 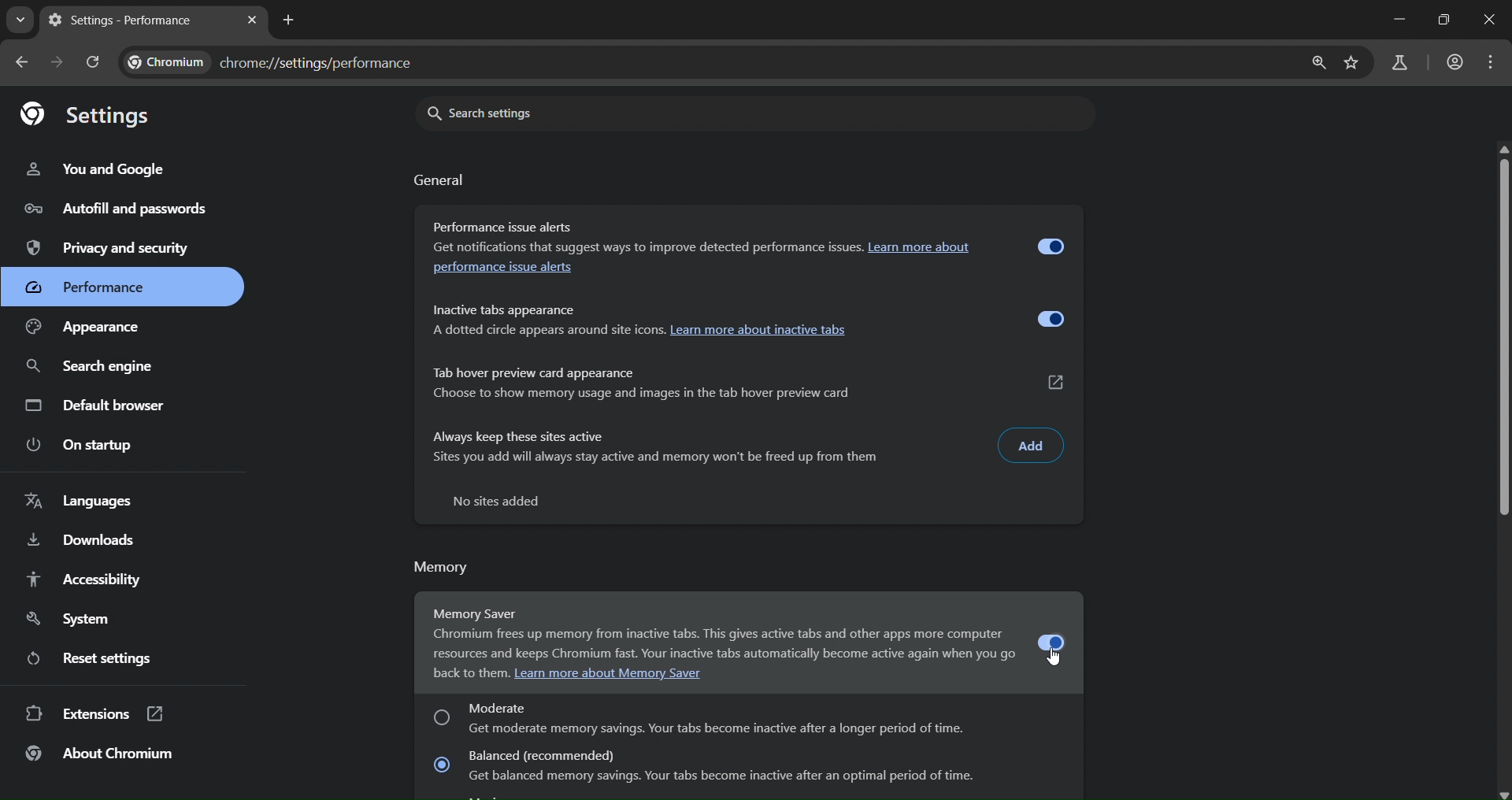 What do you see at coordinates (503, 502) in the screenshot?
I see `text` at bounding box center [503, 502].